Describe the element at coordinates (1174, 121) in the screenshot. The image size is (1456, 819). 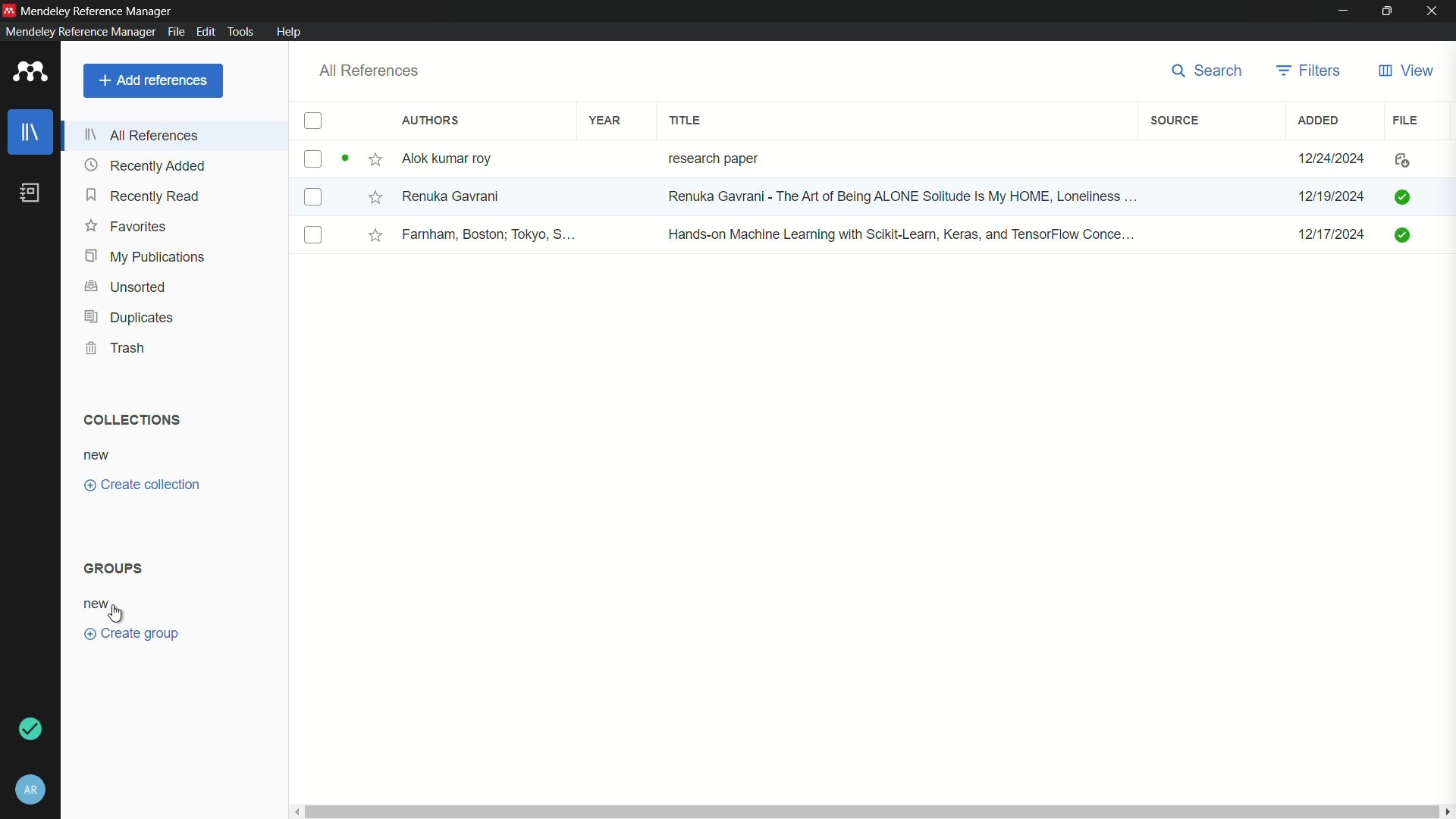
I see `source` at that location.